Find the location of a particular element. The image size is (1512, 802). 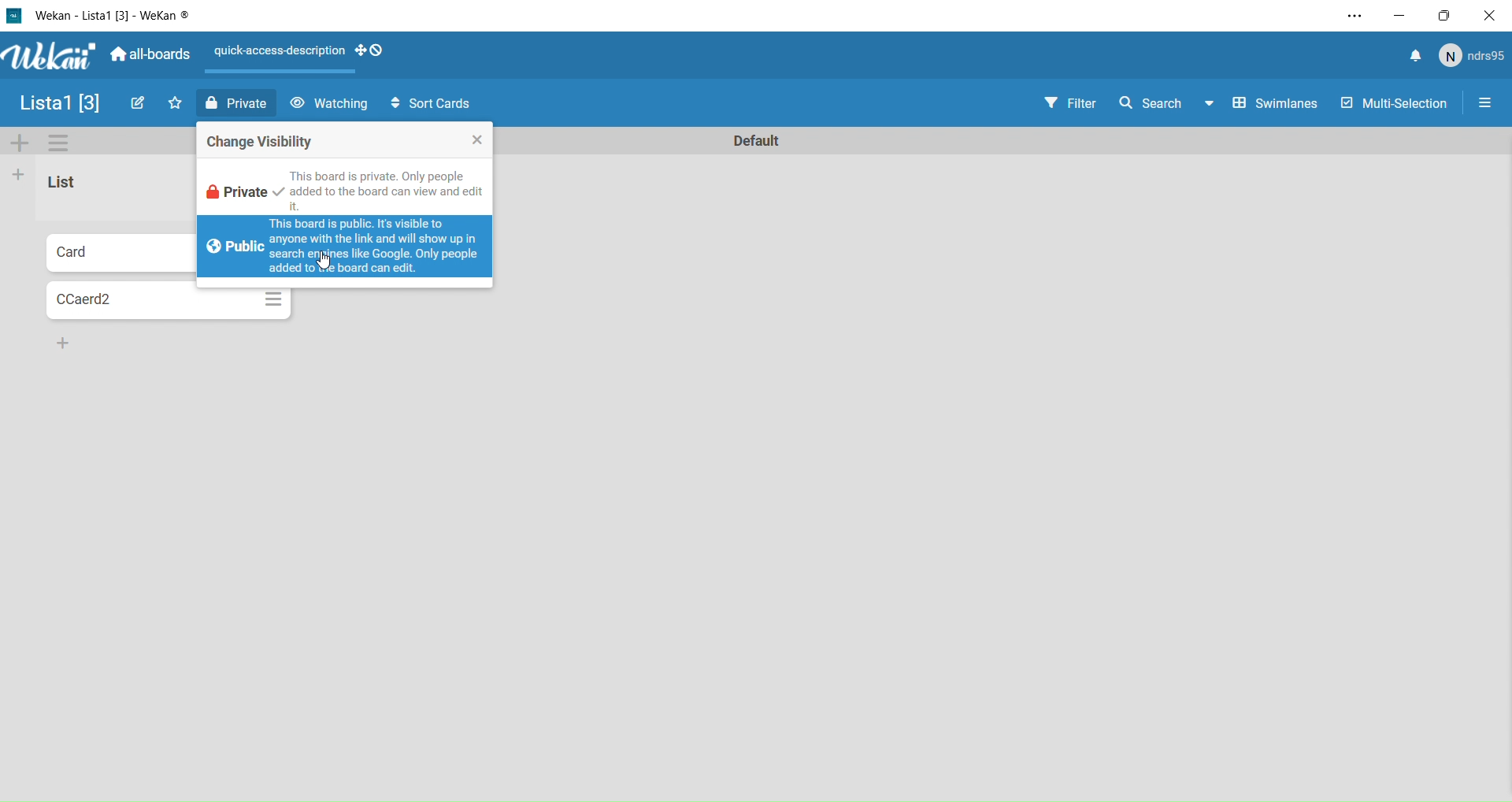

Actions is located at coordinates (374, 50).